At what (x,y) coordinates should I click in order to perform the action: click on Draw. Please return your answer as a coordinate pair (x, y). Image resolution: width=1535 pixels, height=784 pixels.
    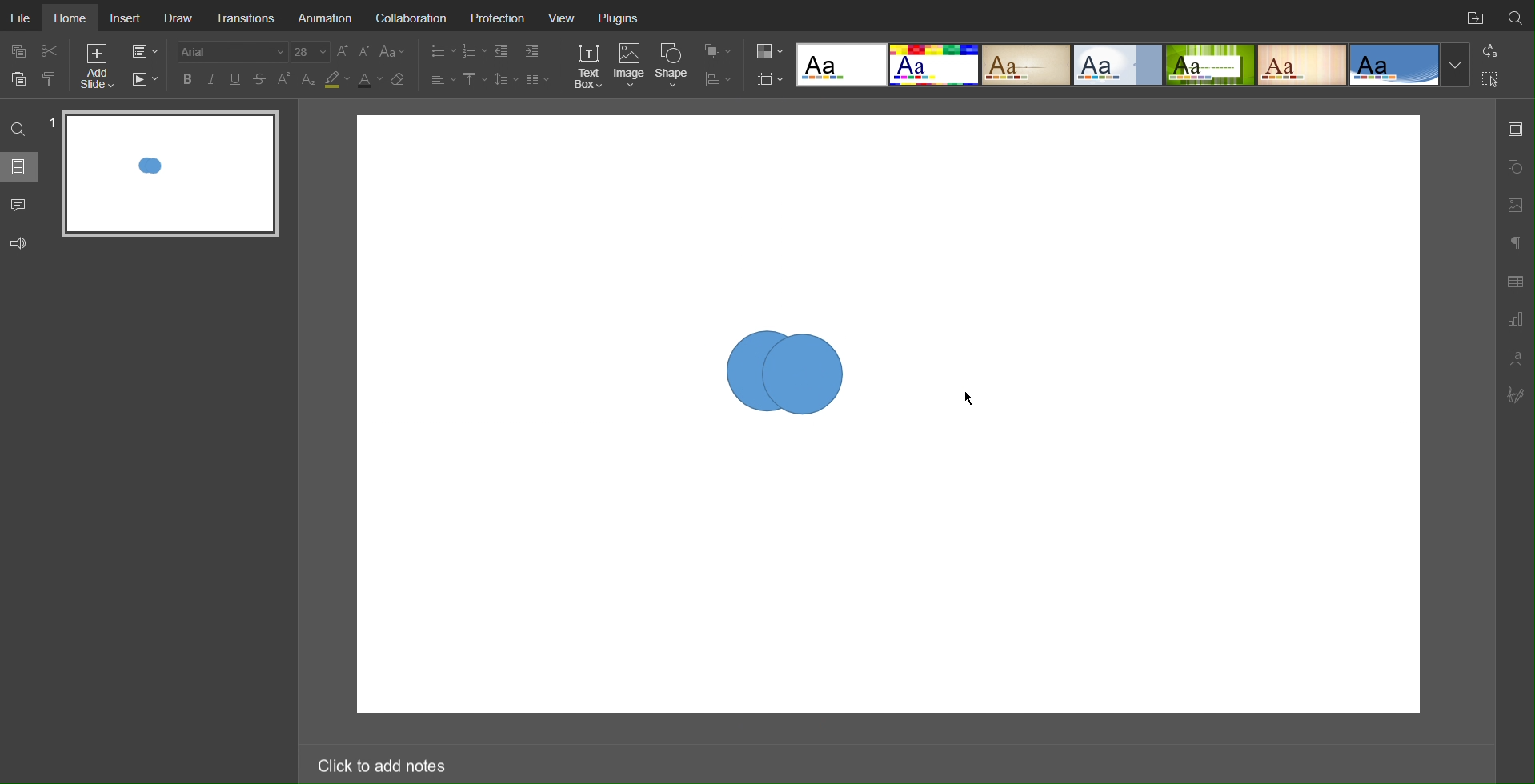
    Looking at the image, I should click on (181, 18).